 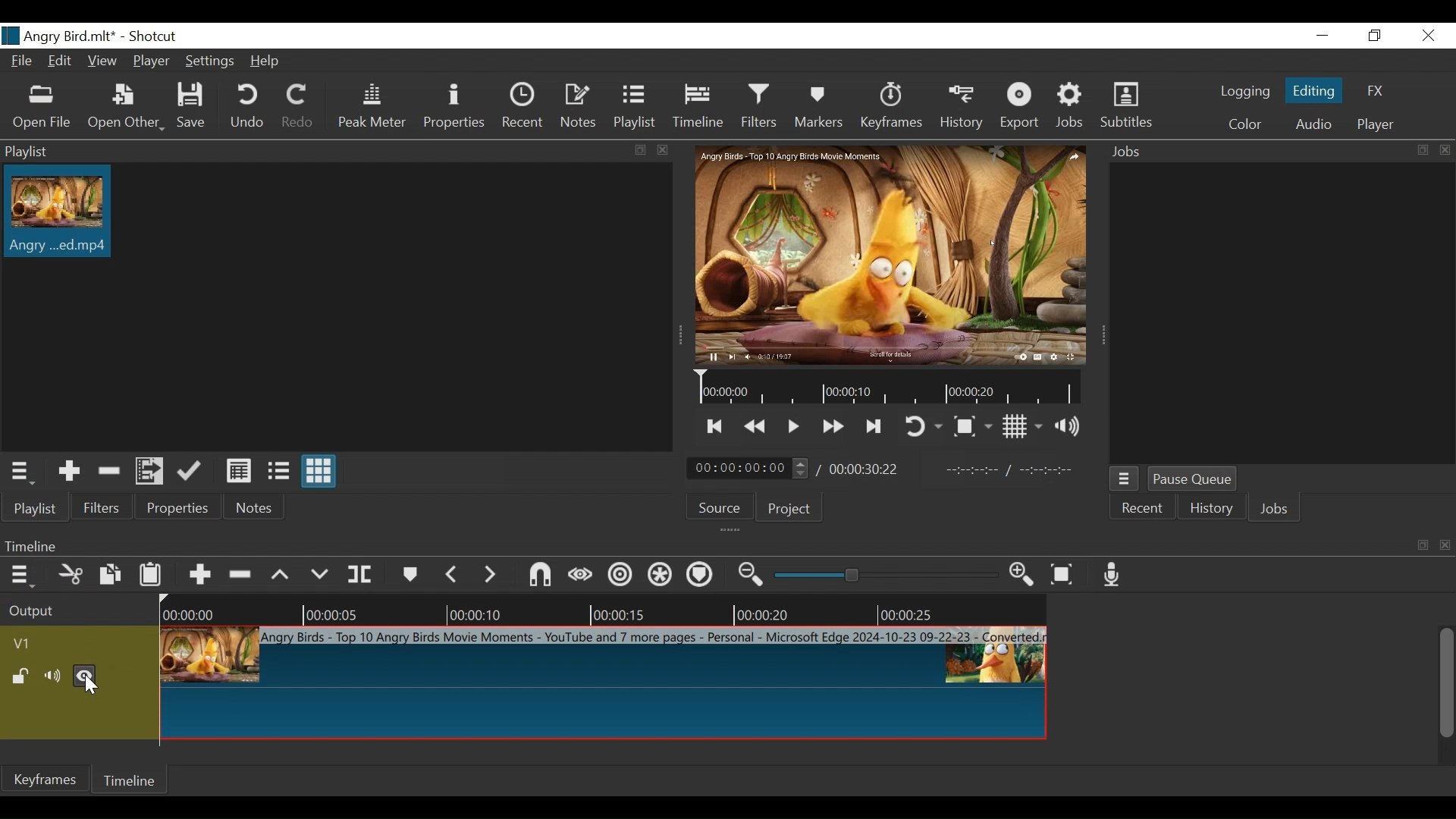 What do you see at coordinates (1144, 507) in the screenshot?
I see `Recent` at bounding box center [1144, 507].